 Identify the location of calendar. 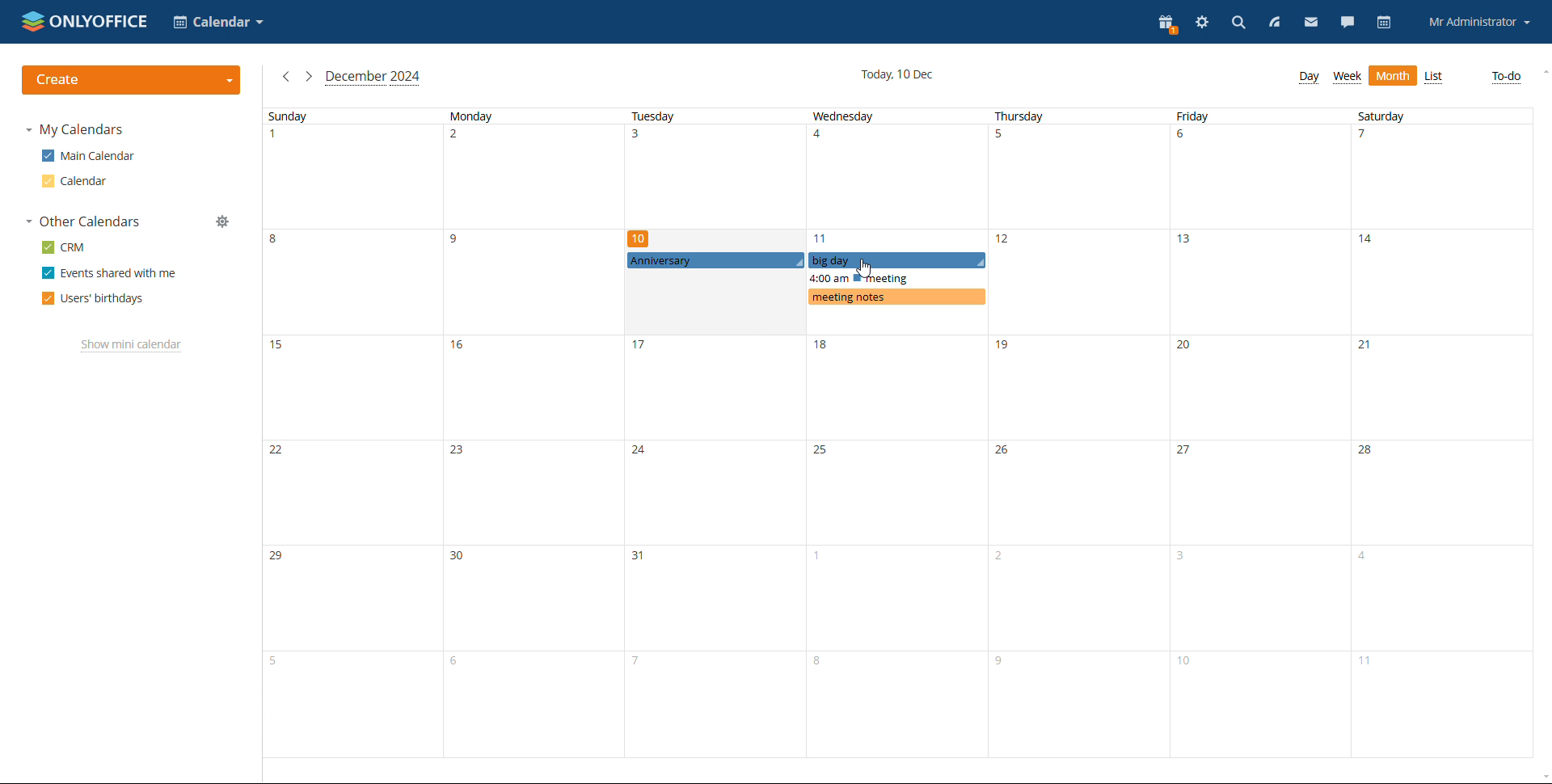
(1385, 23).